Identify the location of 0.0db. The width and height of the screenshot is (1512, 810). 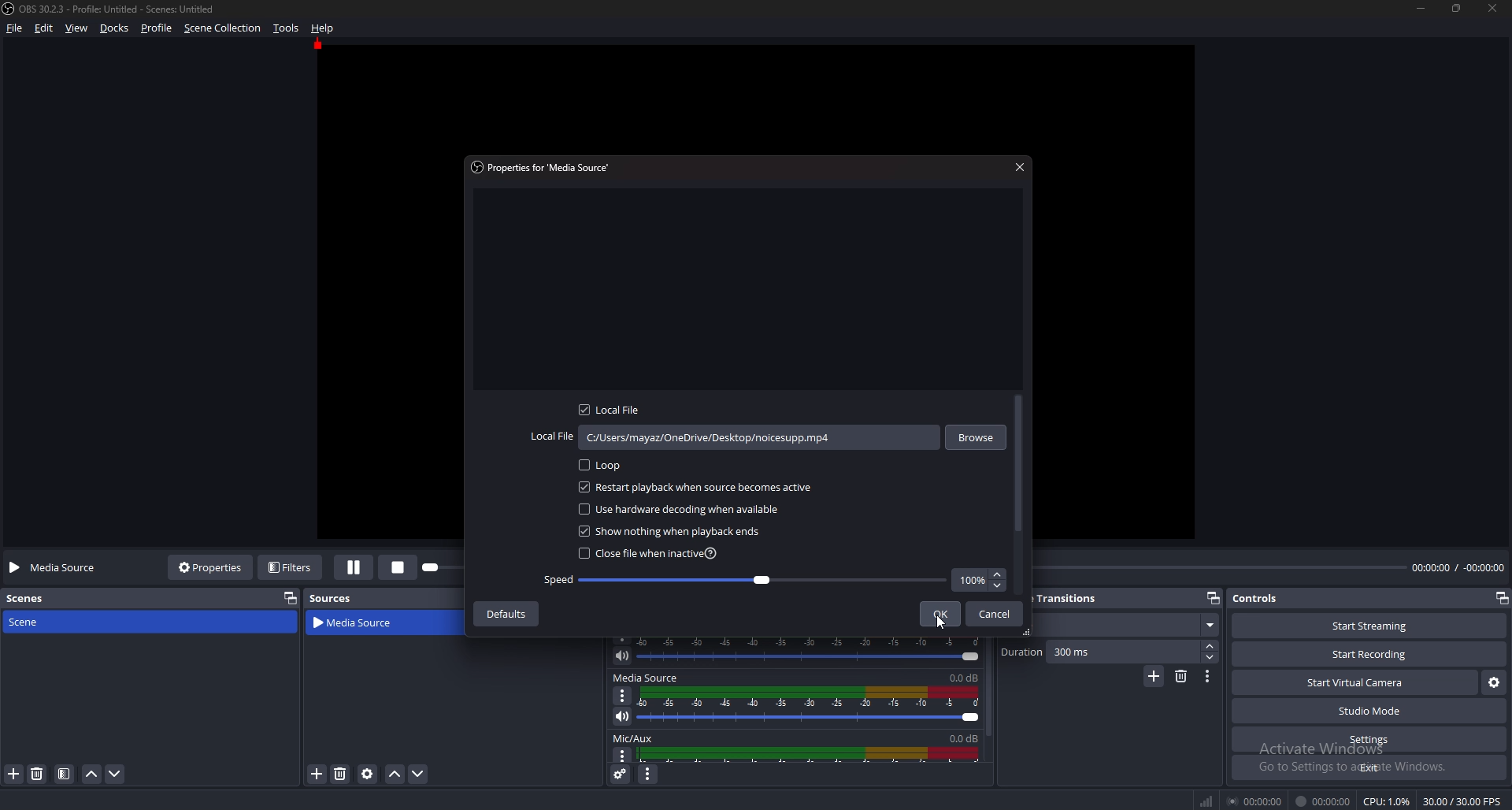
(960, 736).